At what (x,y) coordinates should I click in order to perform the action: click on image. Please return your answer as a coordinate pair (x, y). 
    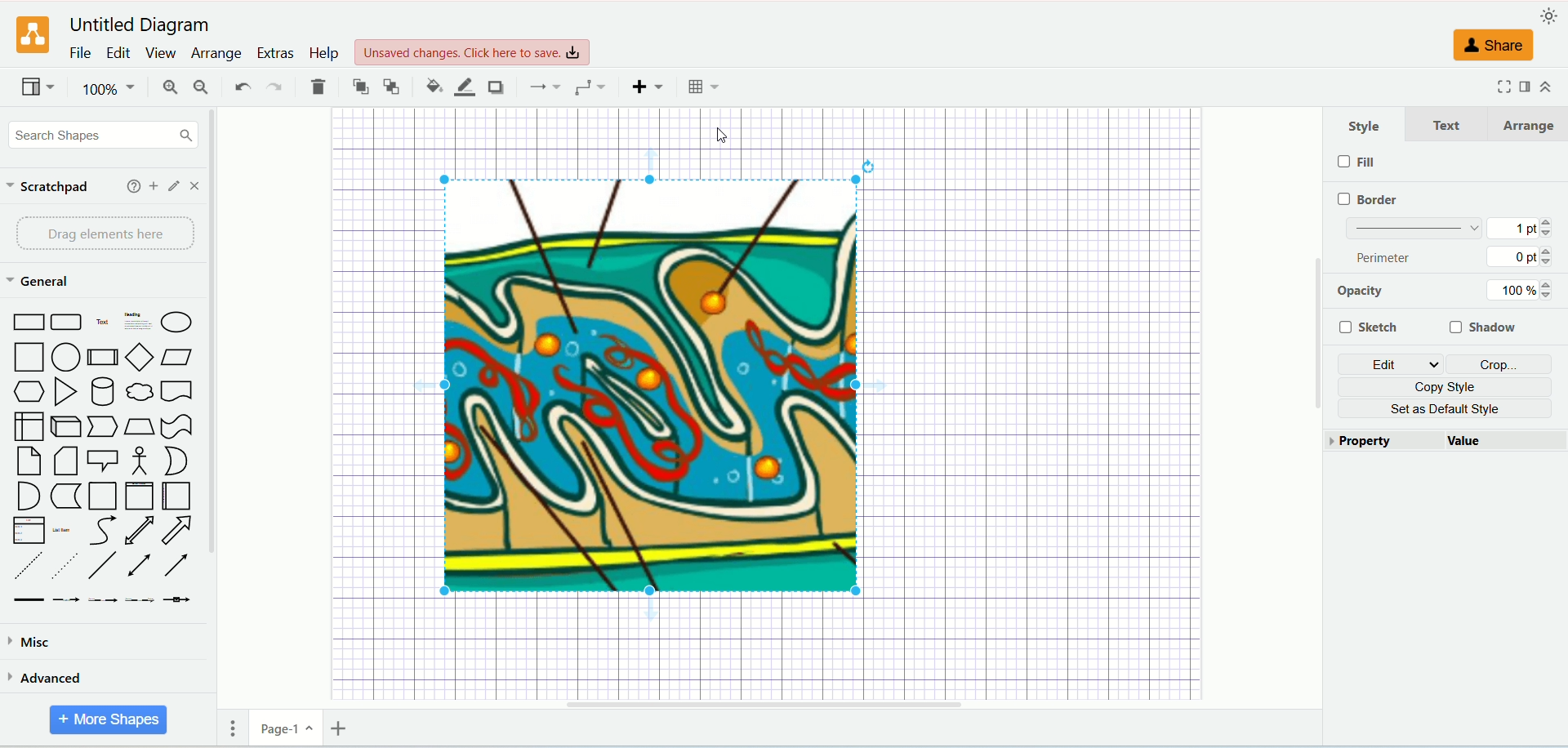
    Looking at the image, I should click on (646, 380).